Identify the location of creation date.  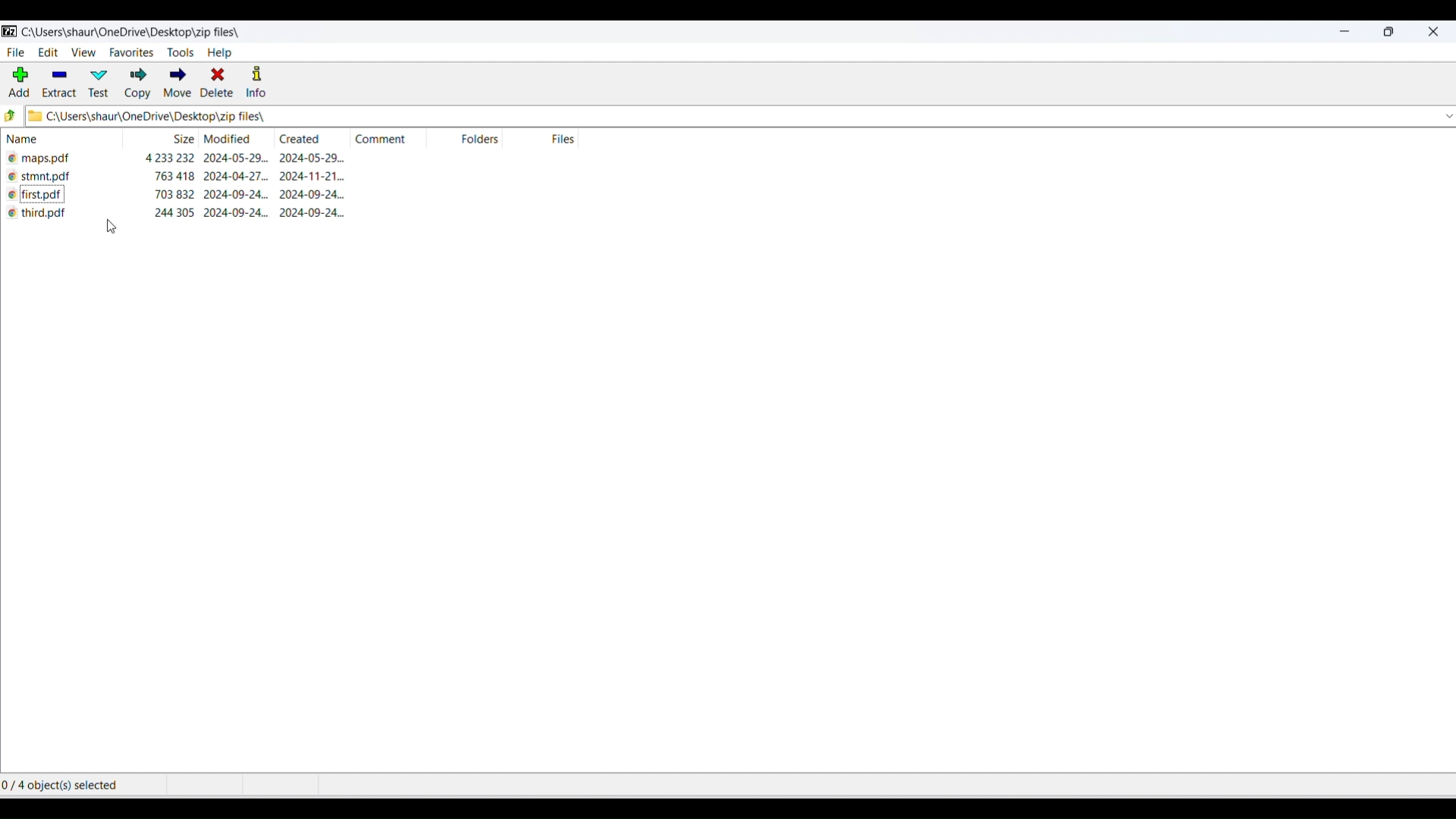
(318, 179).